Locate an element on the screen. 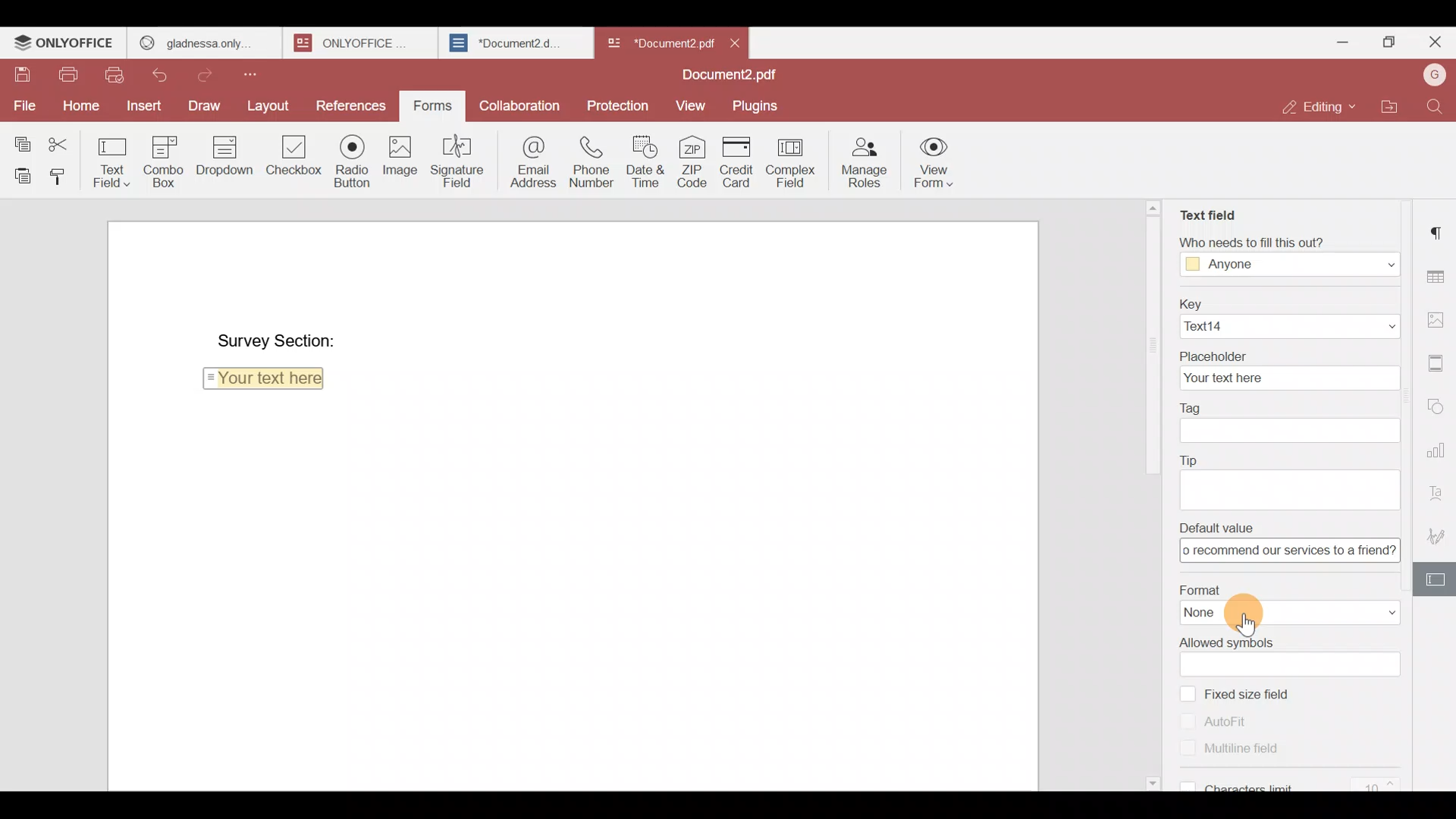 The image size is (1456, 819). Manage roles is located at coordinates (864, 160).